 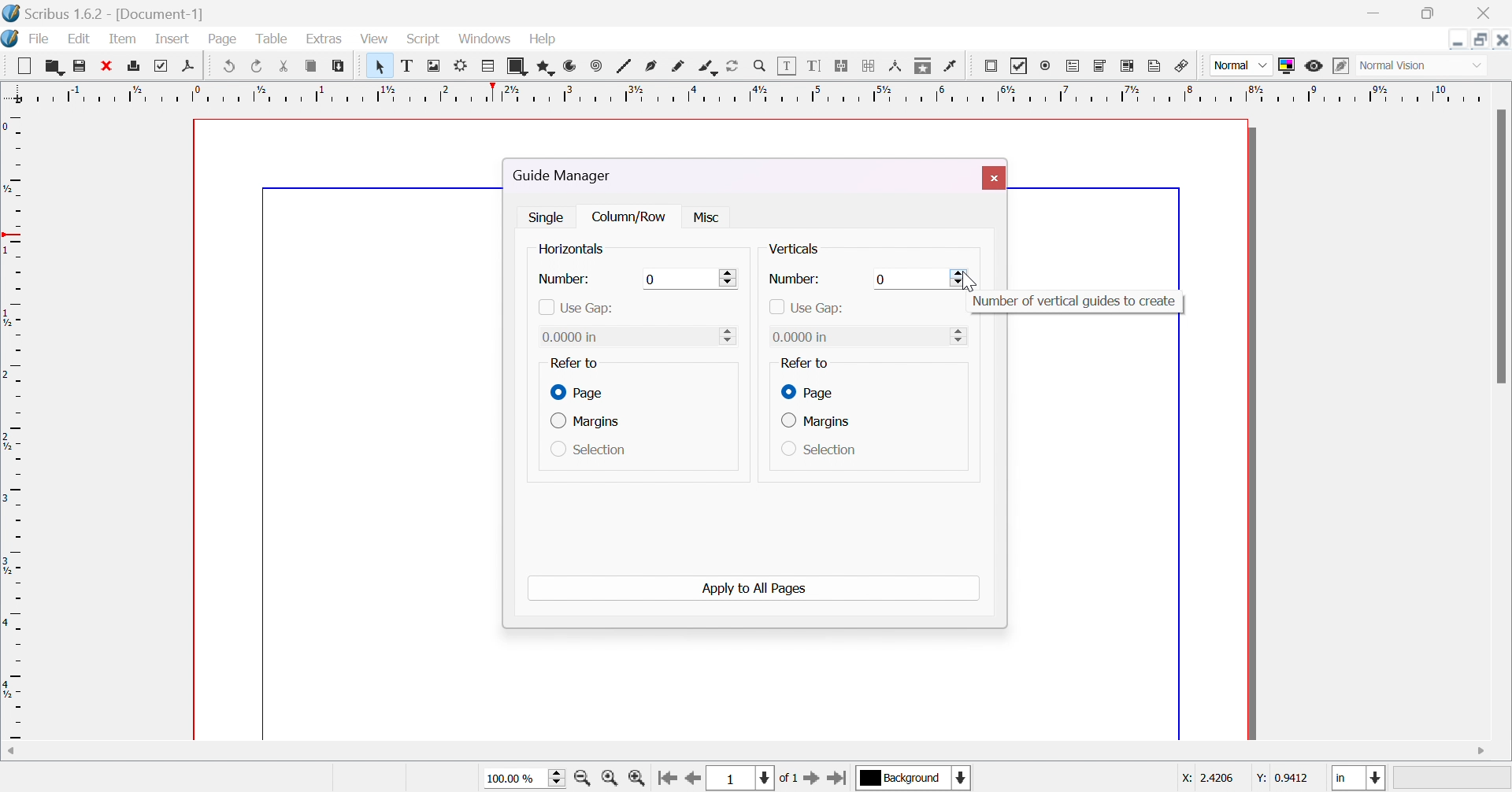 I want to click on select current layer, so click(x=962, y=777).